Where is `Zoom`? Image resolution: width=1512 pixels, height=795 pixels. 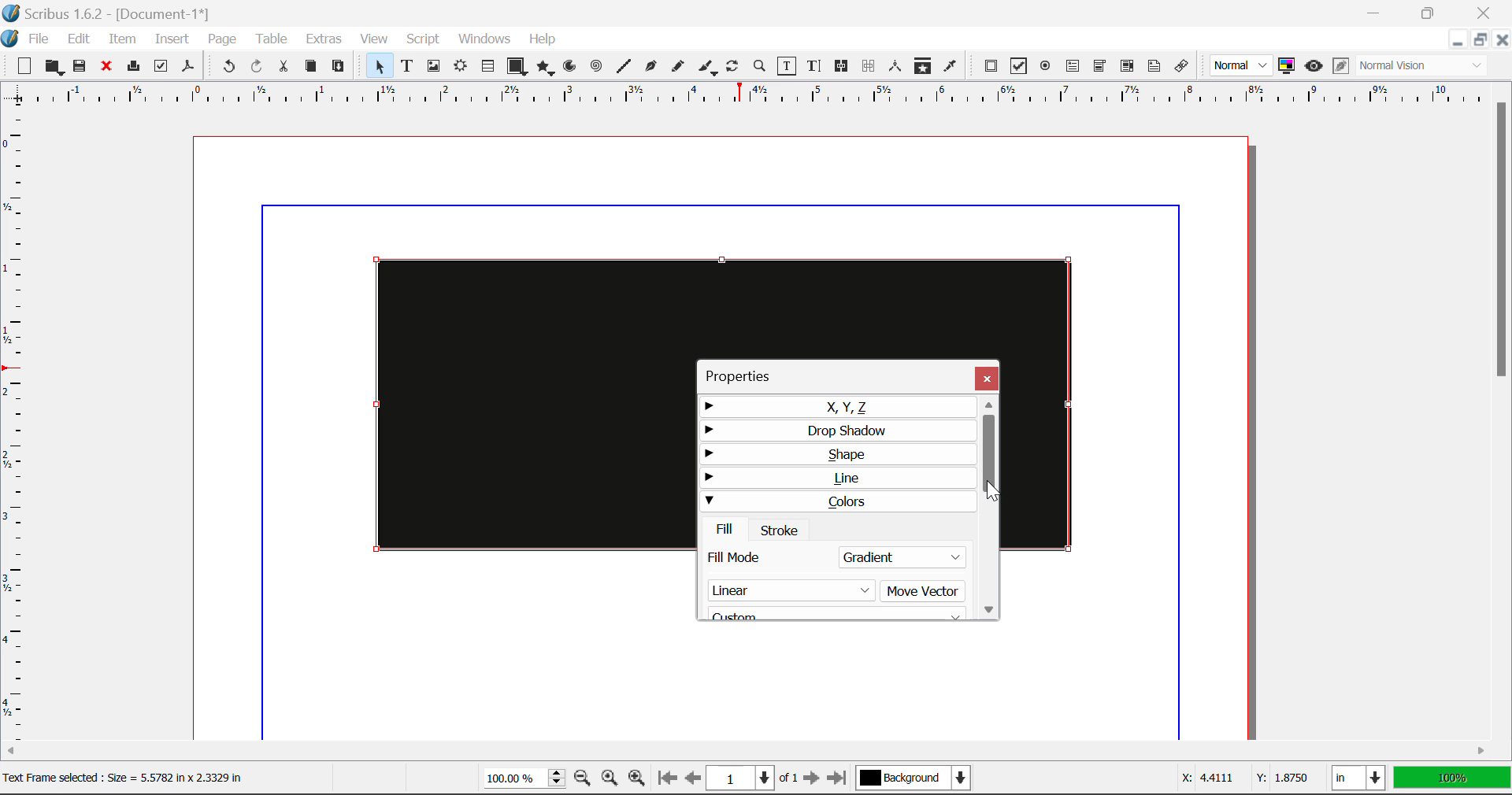
Zoom is located at coordinates (760, 65).